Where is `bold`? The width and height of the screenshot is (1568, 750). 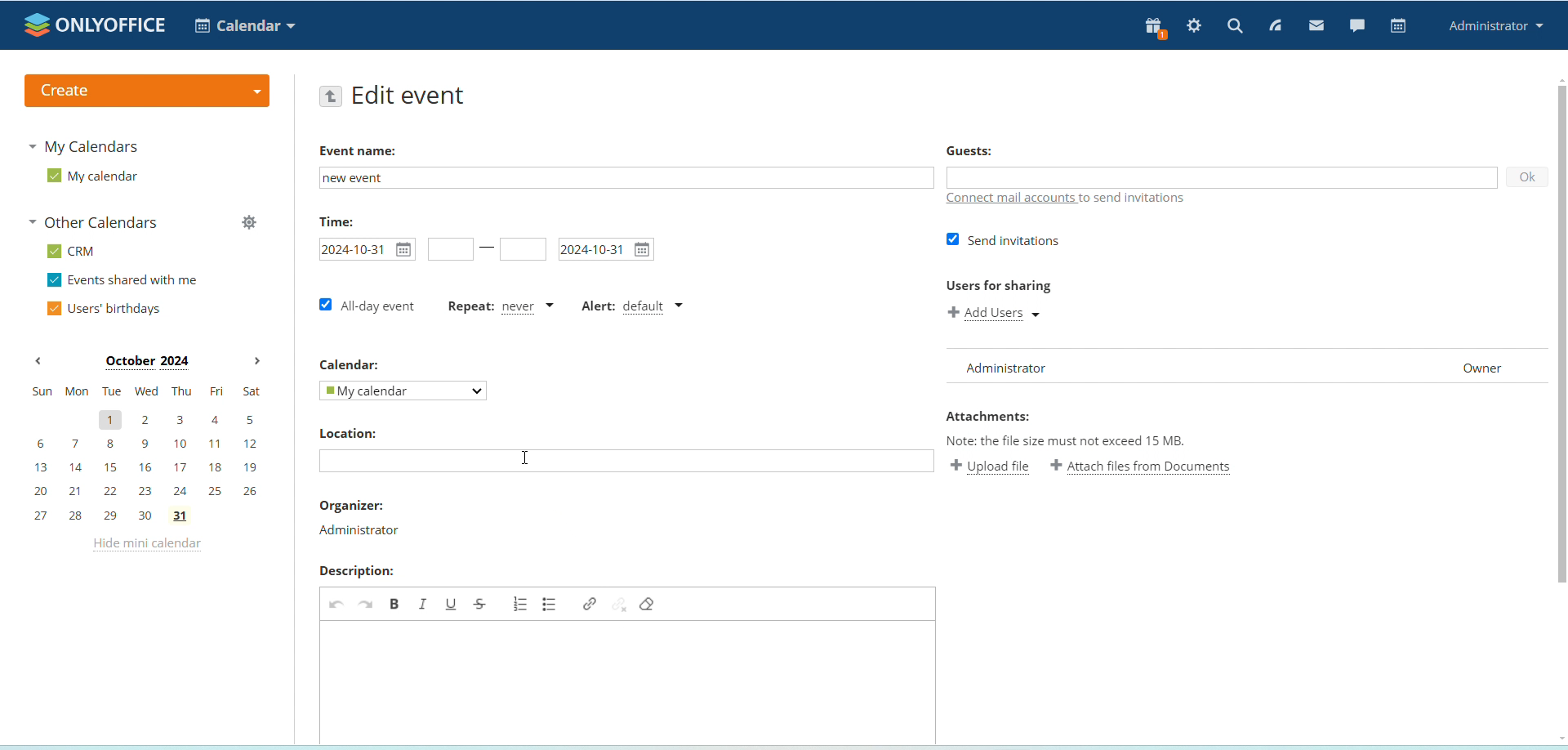
bold is located at coordinates (394, 603).